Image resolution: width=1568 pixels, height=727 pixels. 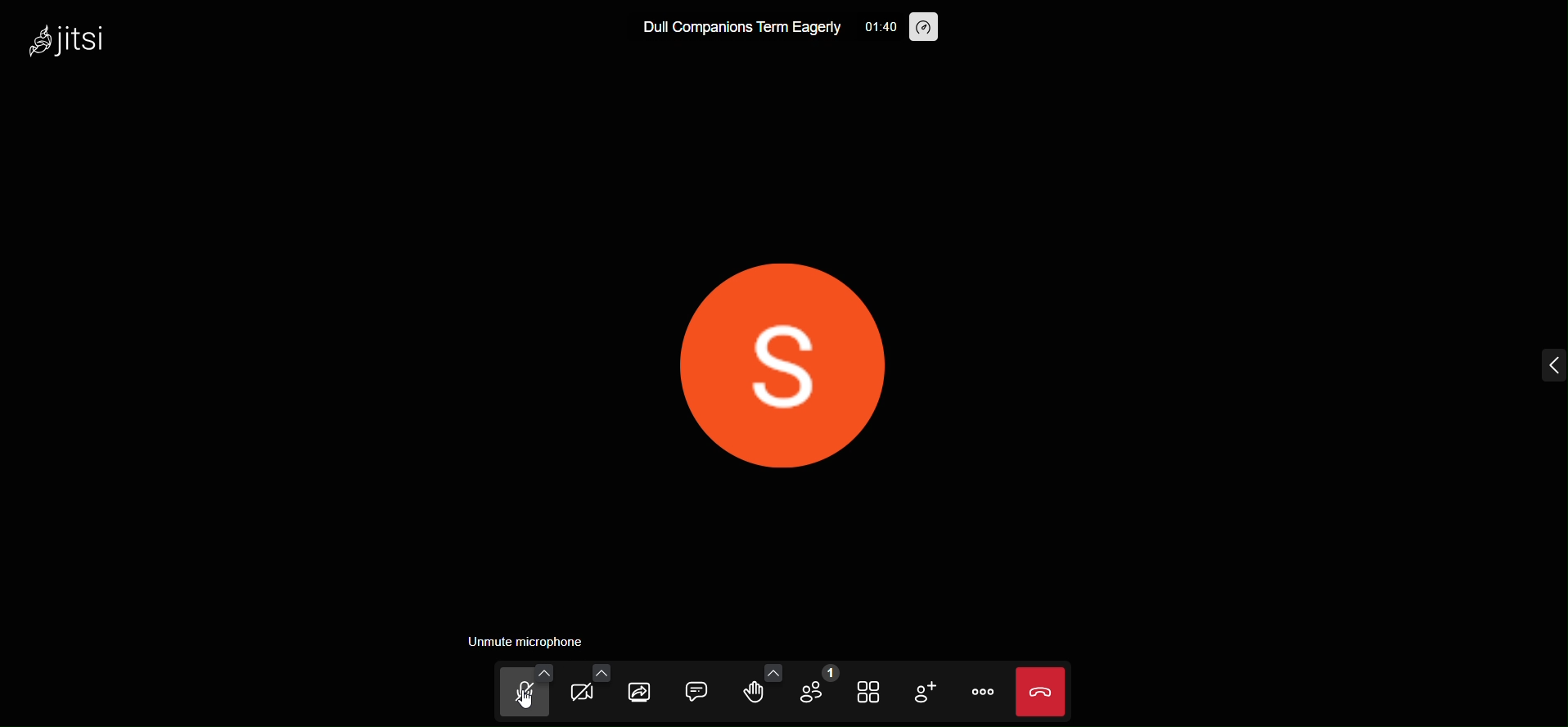 What do you see at coordinates (926, 29) in the screenshot?
I see `performance setting` at bounding box center [926, 29].